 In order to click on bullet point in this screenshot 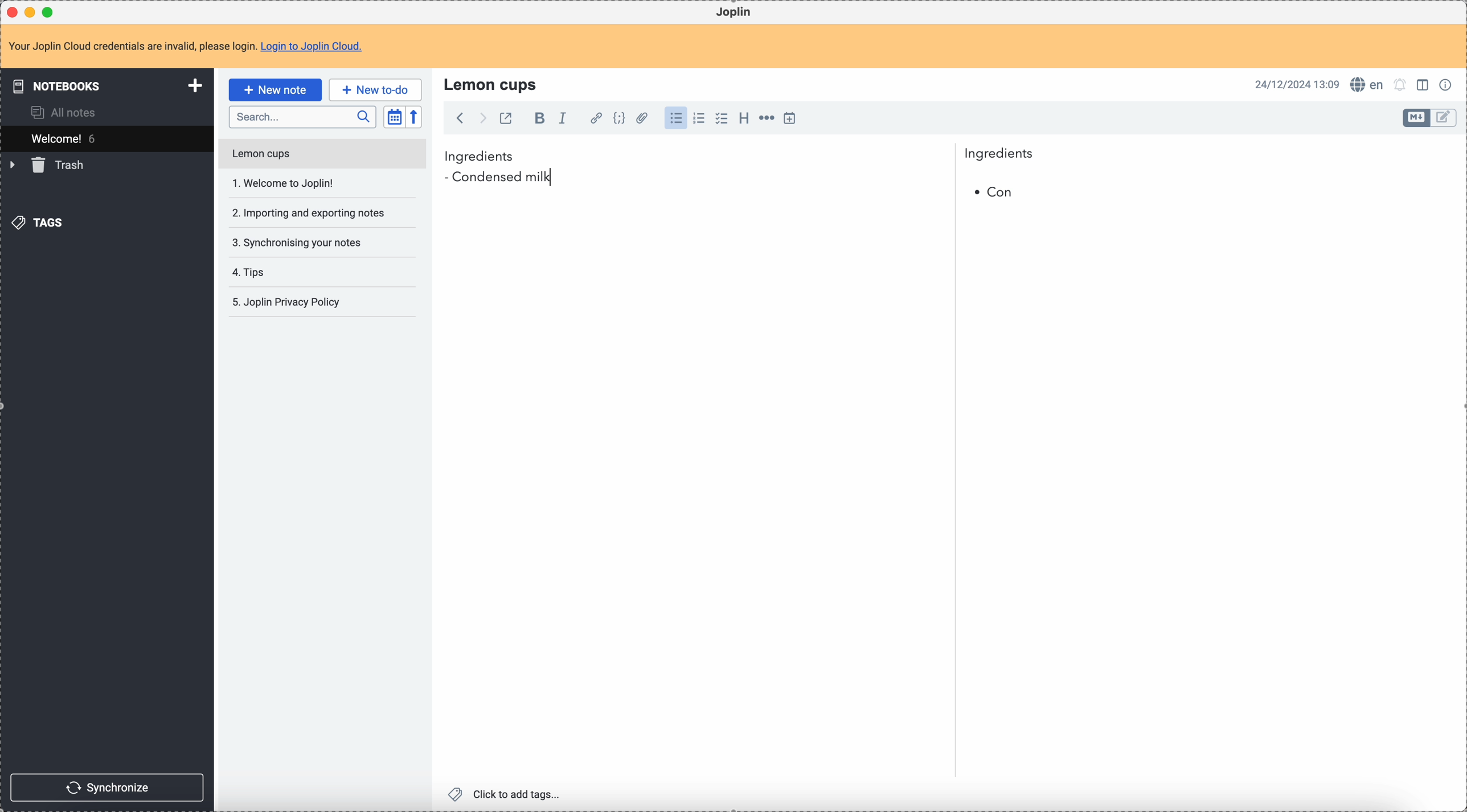, I will do `click(994, 193)`.